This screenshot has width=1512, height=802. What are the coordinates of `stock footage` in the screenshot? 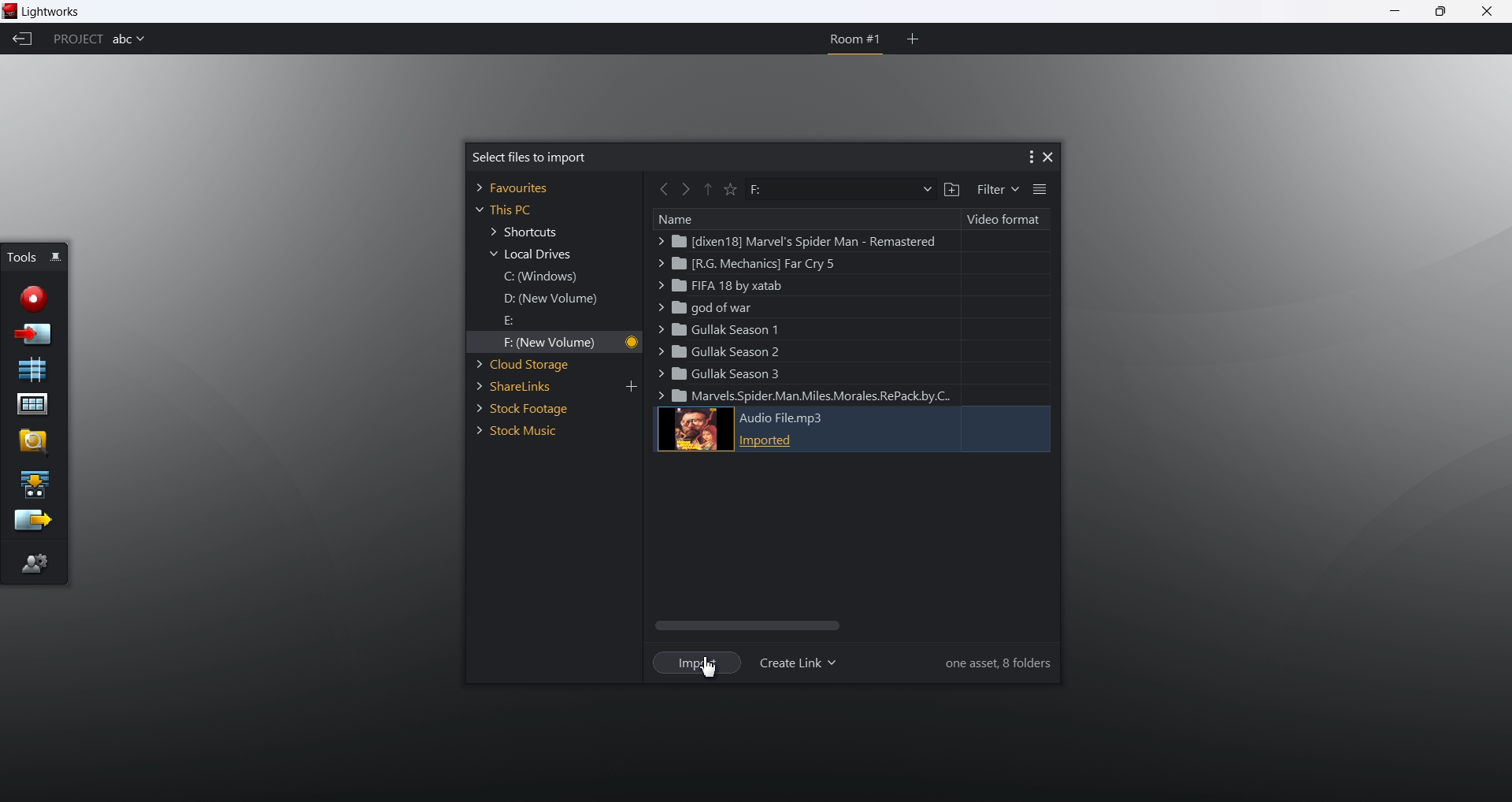 It's located at (526, 409).